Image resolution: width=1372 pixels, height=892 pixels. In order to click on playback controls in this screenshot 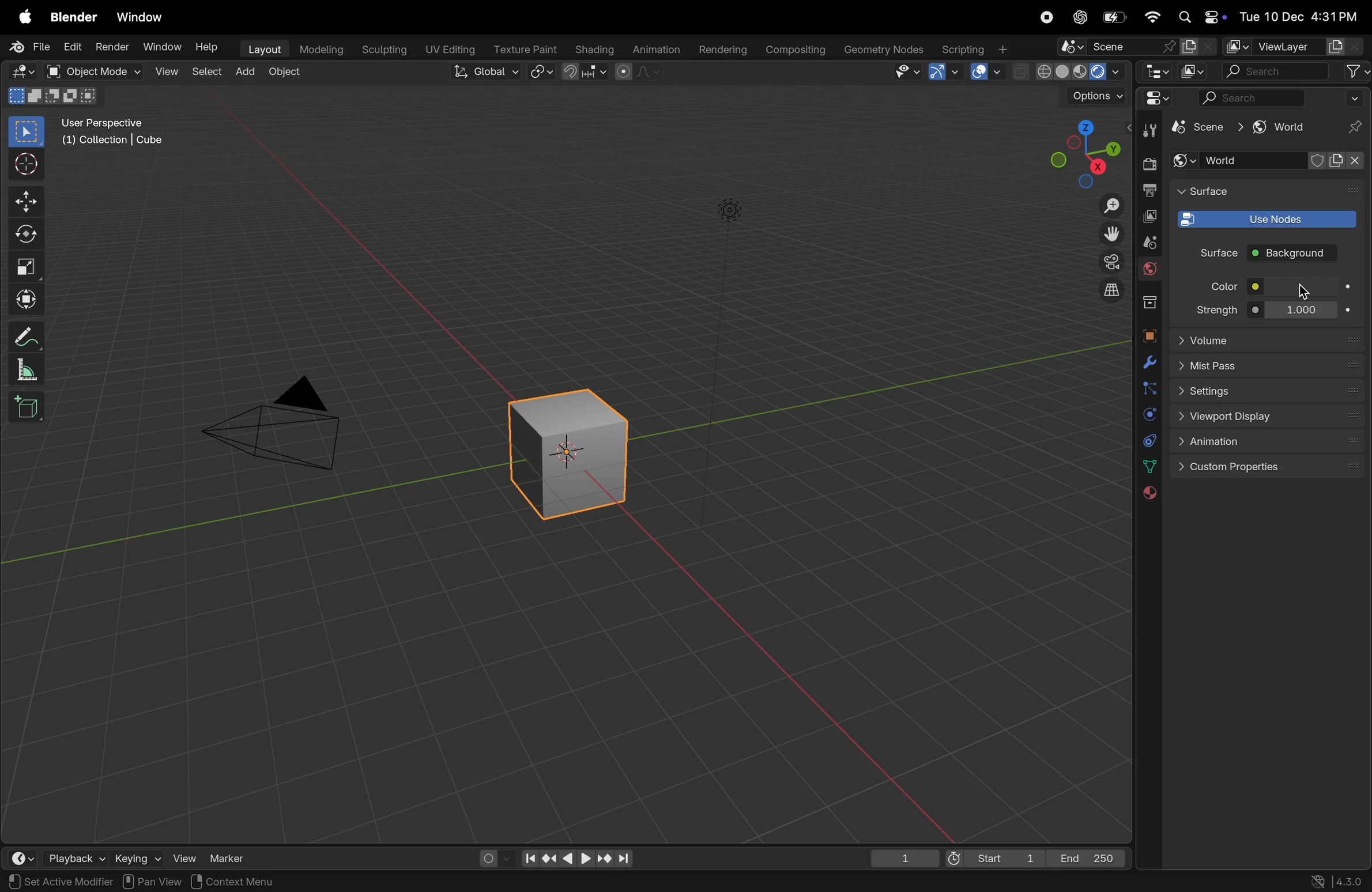, I will do `click(576, 857)`.